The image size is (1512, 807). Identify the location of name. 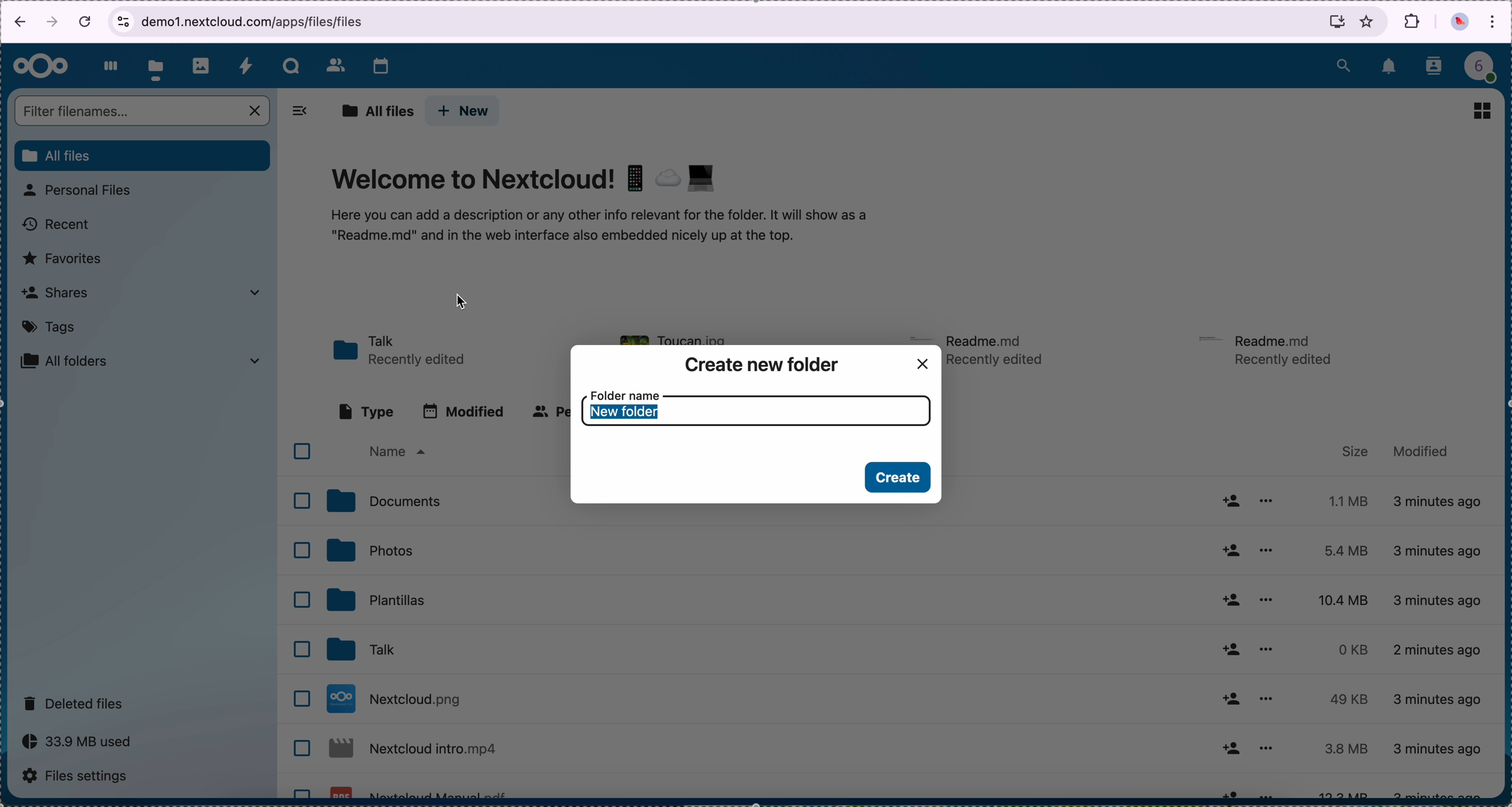
(396, 453).